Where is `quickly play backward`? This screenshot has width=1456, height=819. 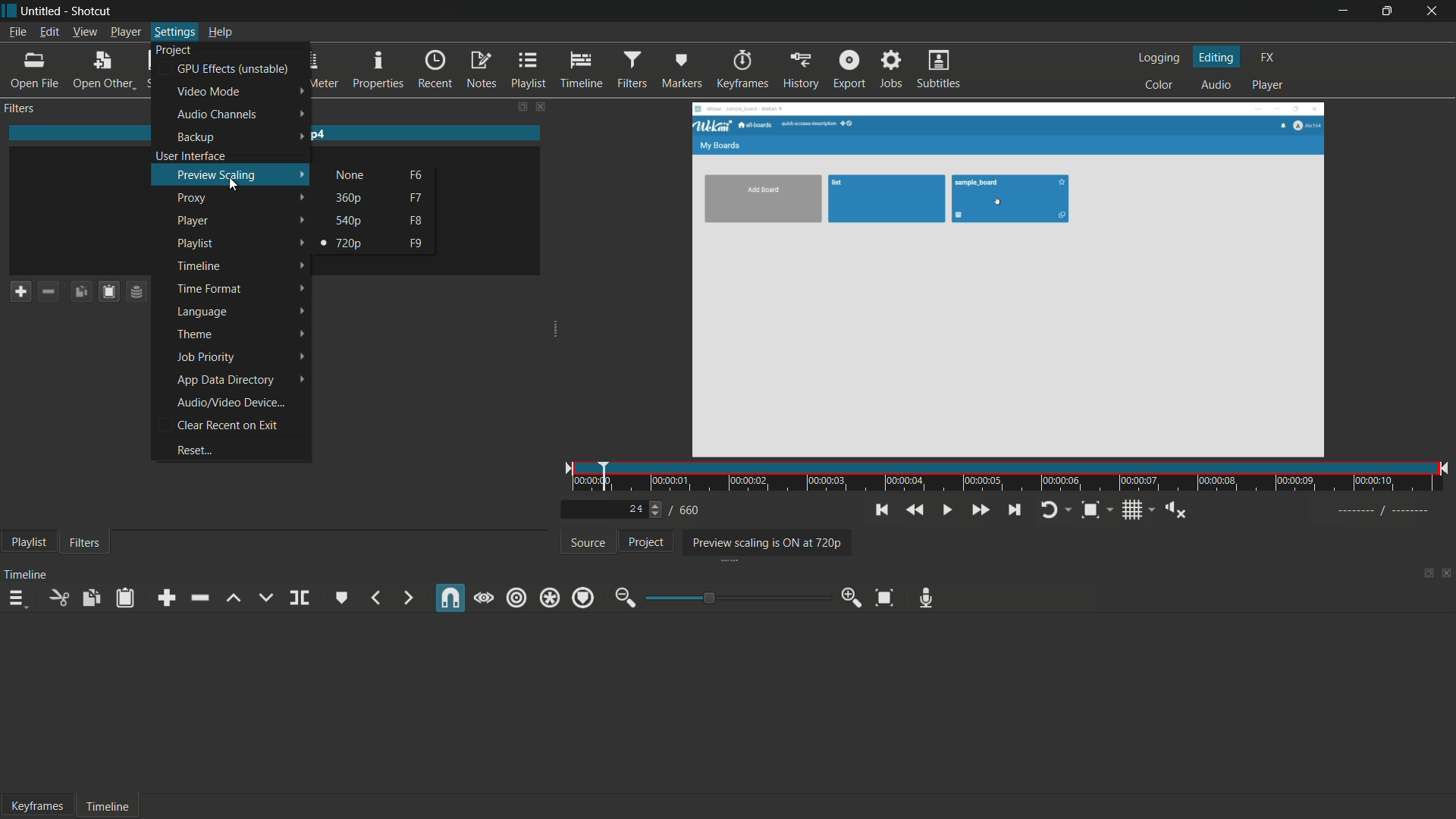 quickly play backward is located at coordinates (916, 510).